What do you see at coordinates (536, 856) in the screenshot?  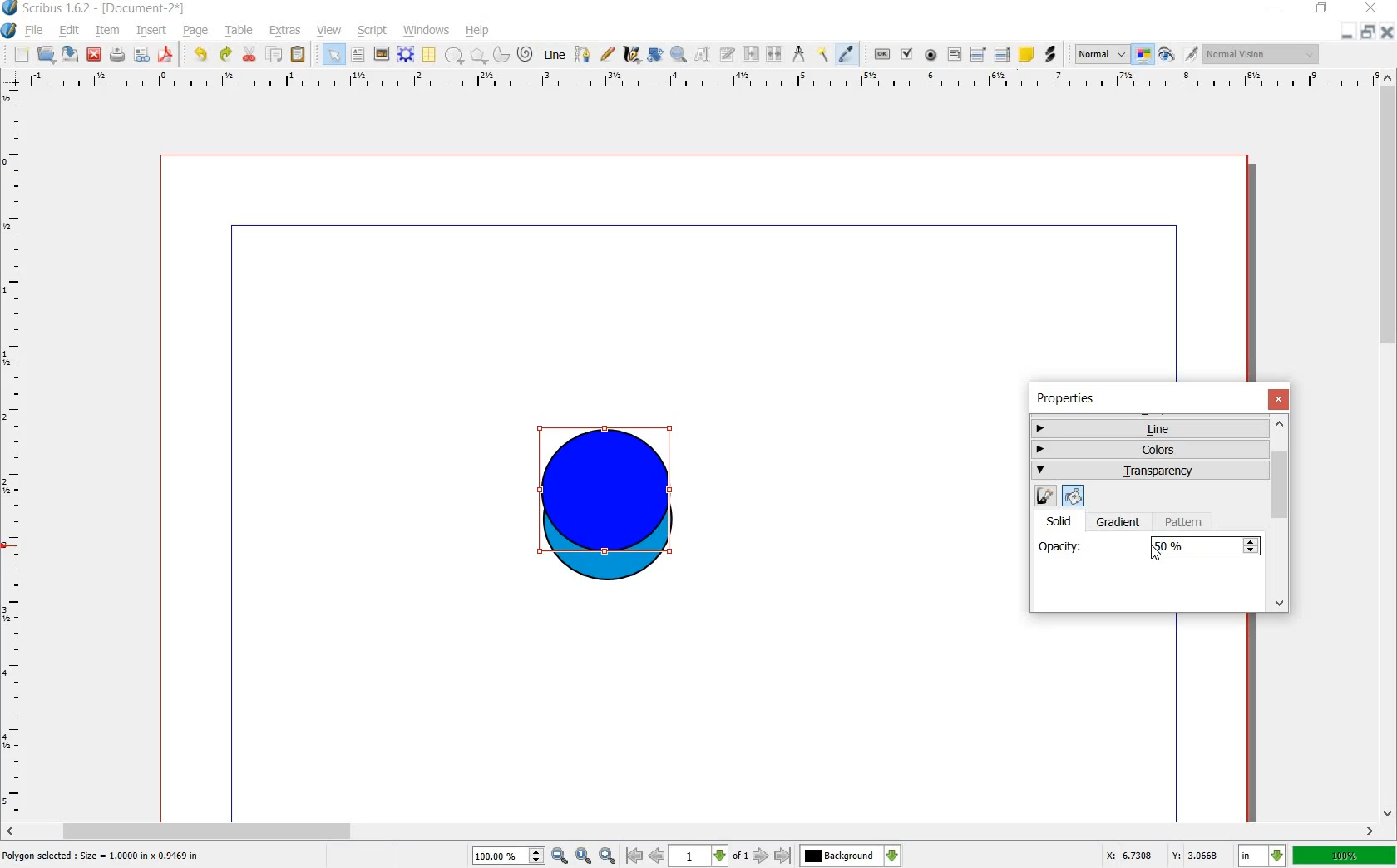 I see `increase or decrease zoom` at bounding box center [536, 856].